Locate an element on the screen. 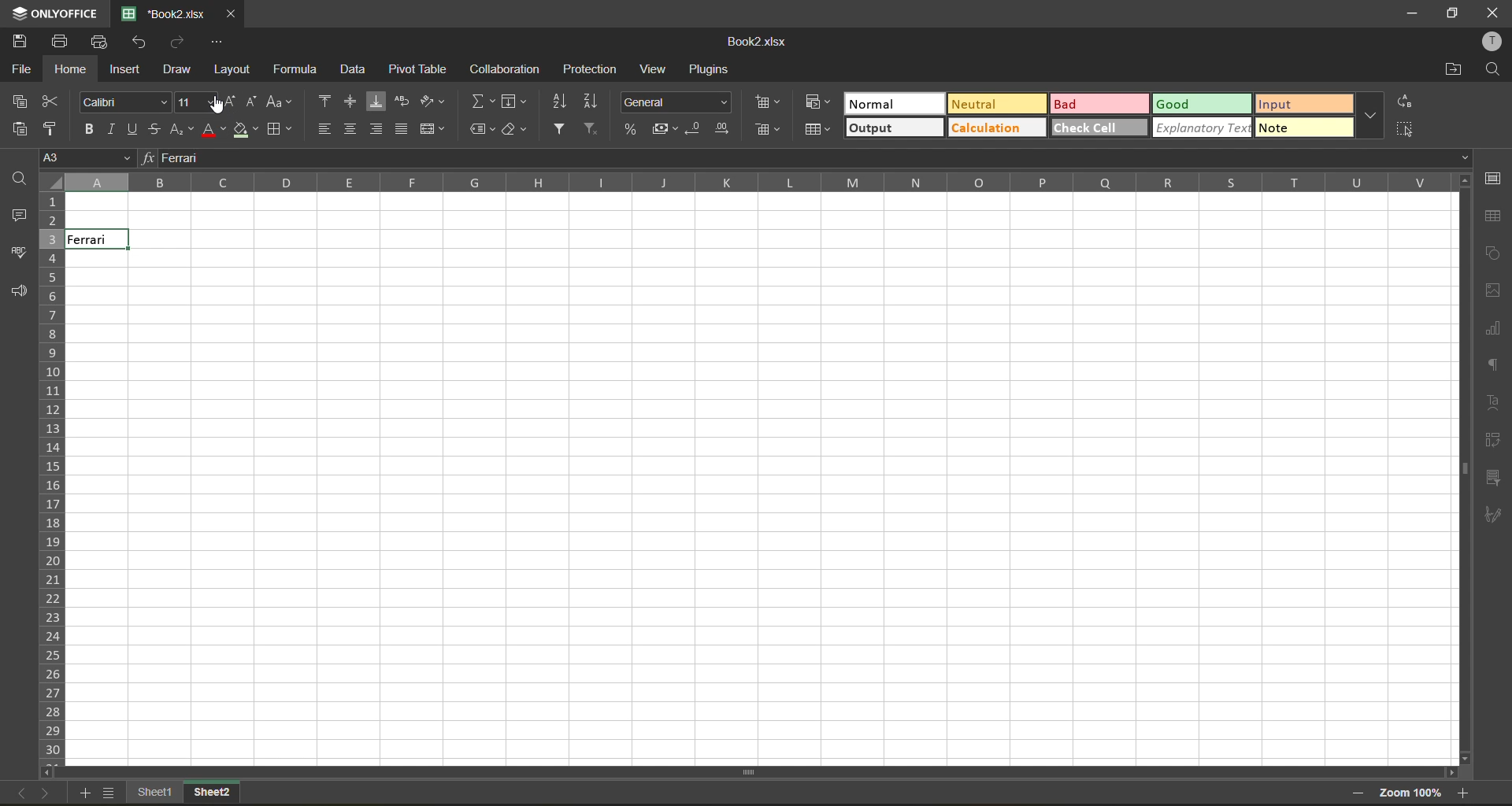 The image size is (1512, 806). Horizontal ScrollBar is located at coordinates (1463, 479).